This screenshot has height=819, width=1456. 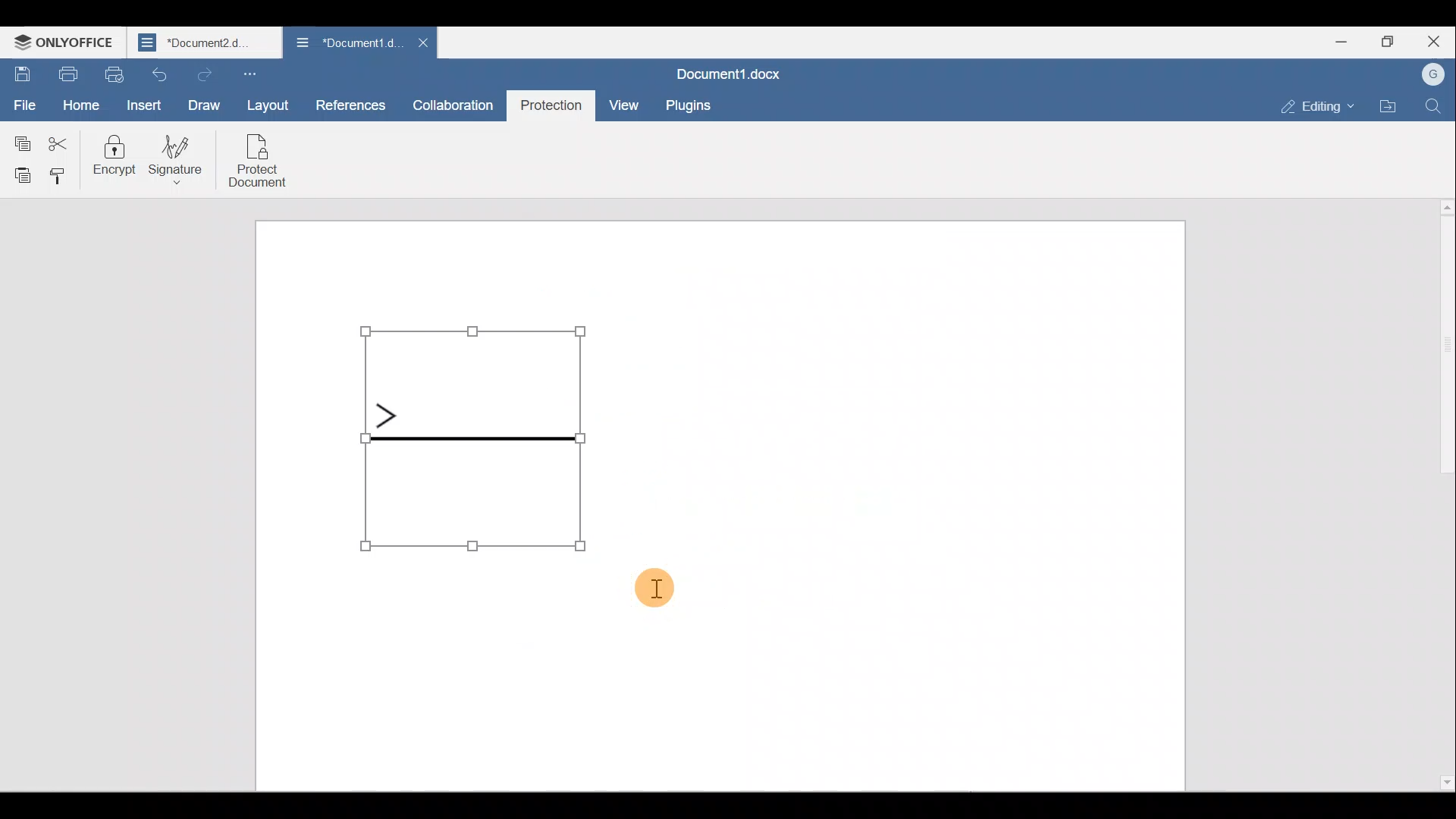 I want to click on ONLYOFFICE, so click(x=64, y=44).